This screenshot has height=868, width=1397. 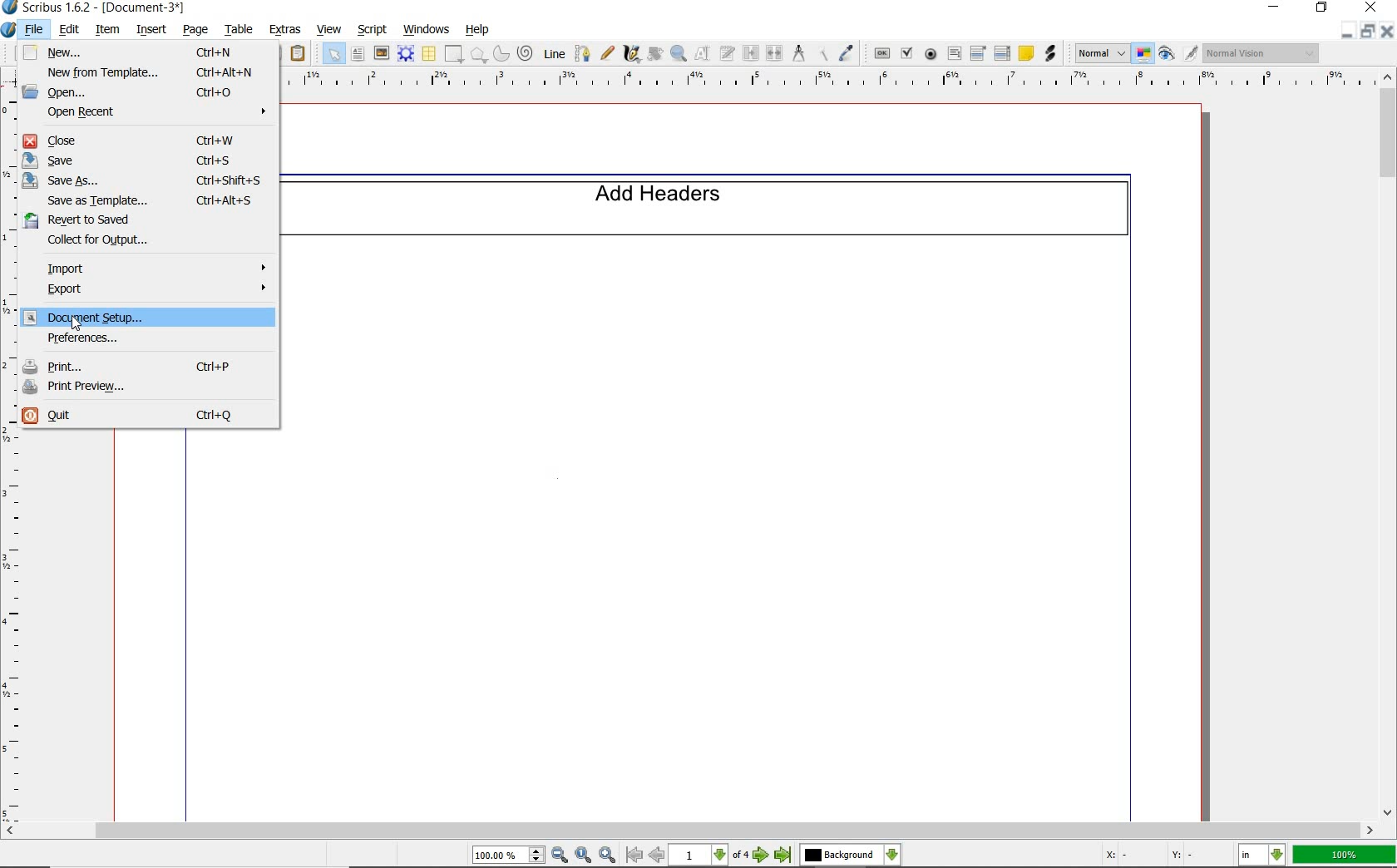 What do you see at coordinates (783, 856) in the screenshot?
I see `go to last page` at bounding box center [783, 856].